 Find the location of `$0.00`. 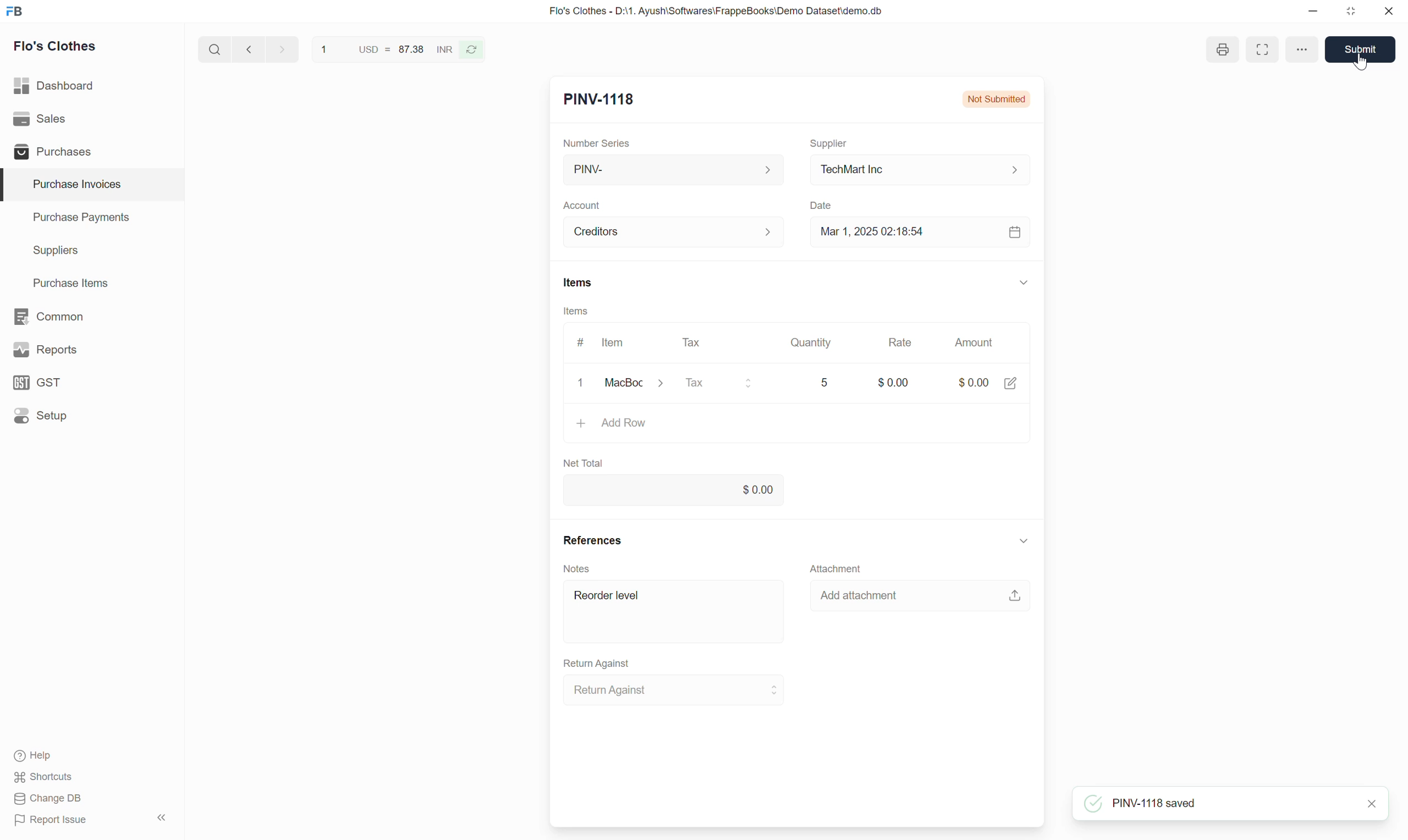

$0.00 is located at coordinates (893, 378).